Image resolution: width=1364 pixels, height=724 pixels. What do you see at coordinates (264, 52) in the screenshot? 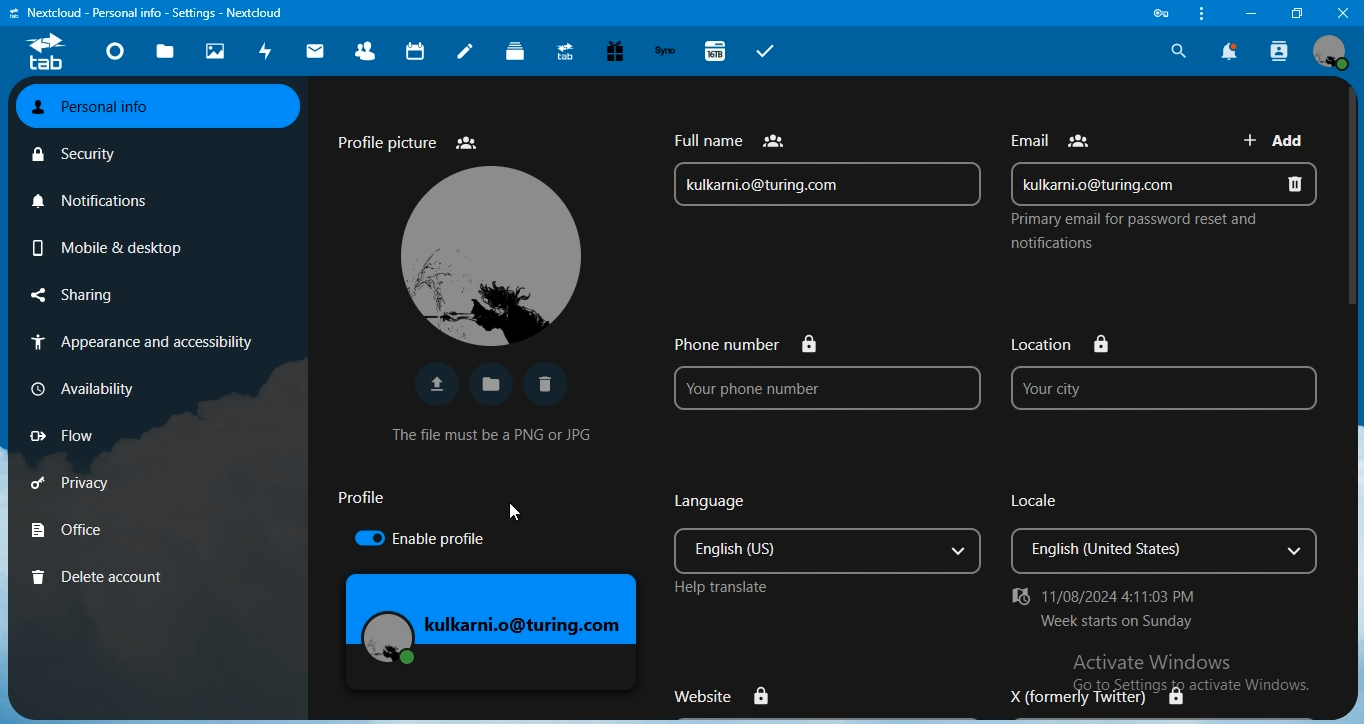
I see `activity` at bounding box center [264, 52].